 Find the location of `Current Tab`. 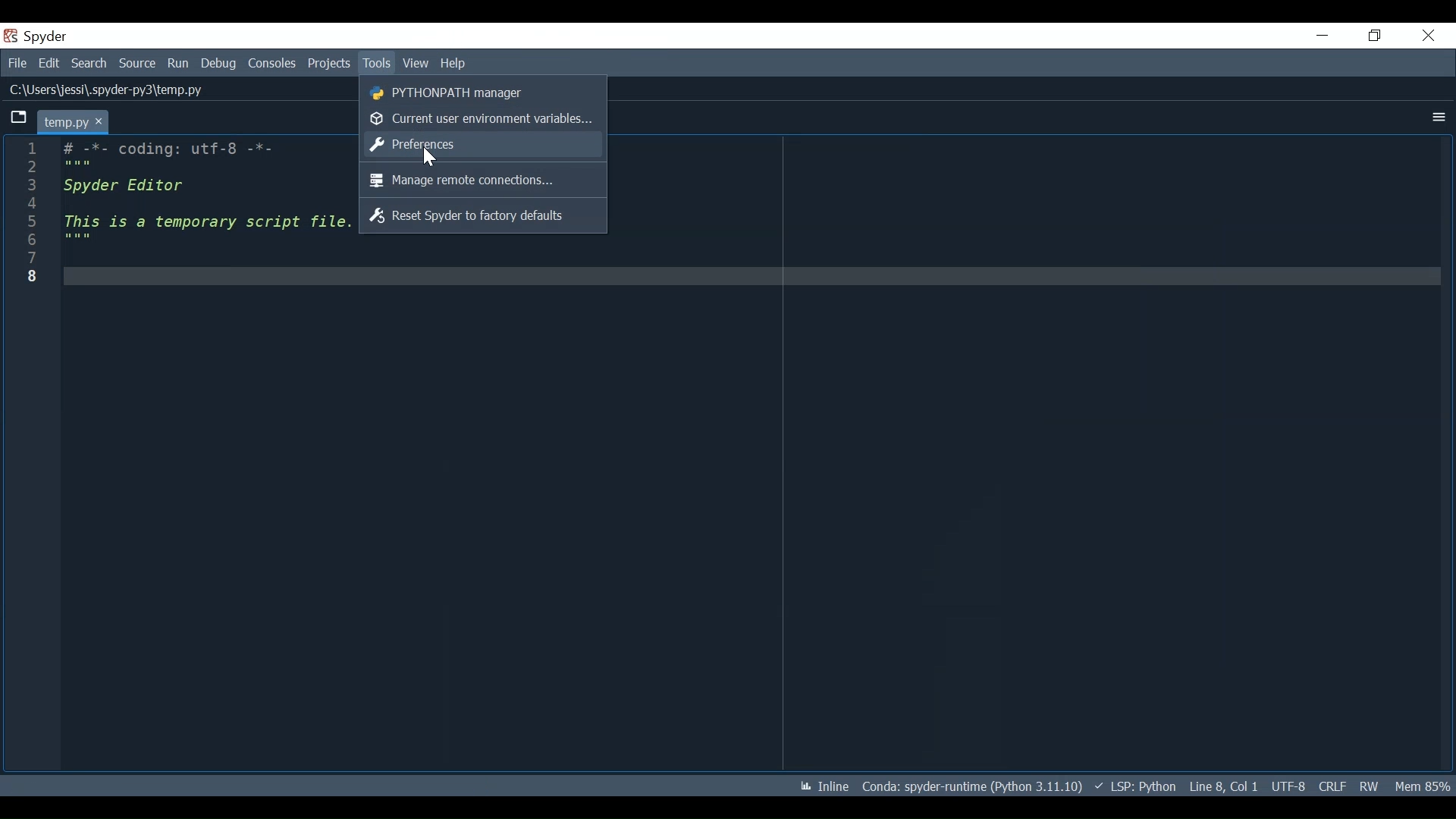

Current Tab is located at coordinates (72, 121).